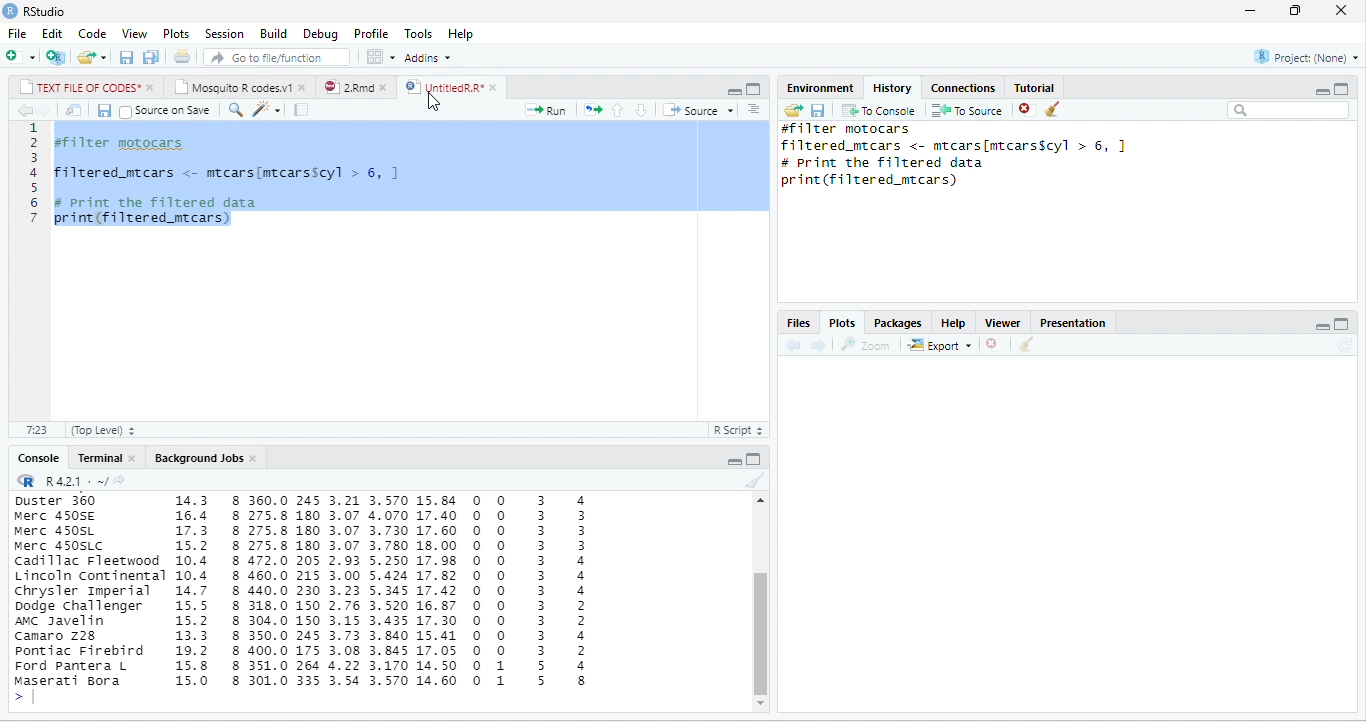 This screenshot has width=1366, height=722. Describe the element at coordinates (254, 459) in the screenshot. I see `close` at that location.